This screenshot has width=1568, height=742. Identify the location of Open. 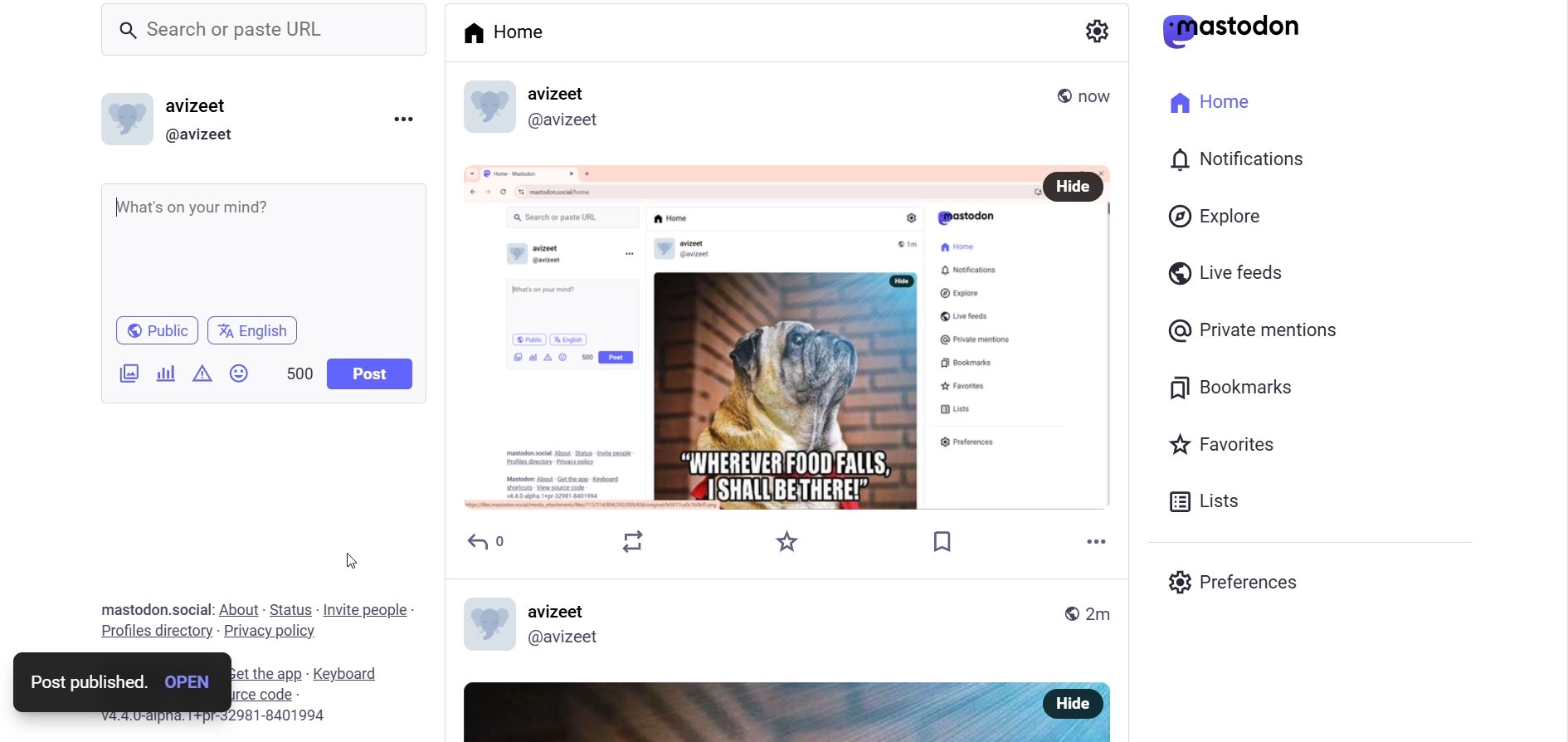
(191, 682).